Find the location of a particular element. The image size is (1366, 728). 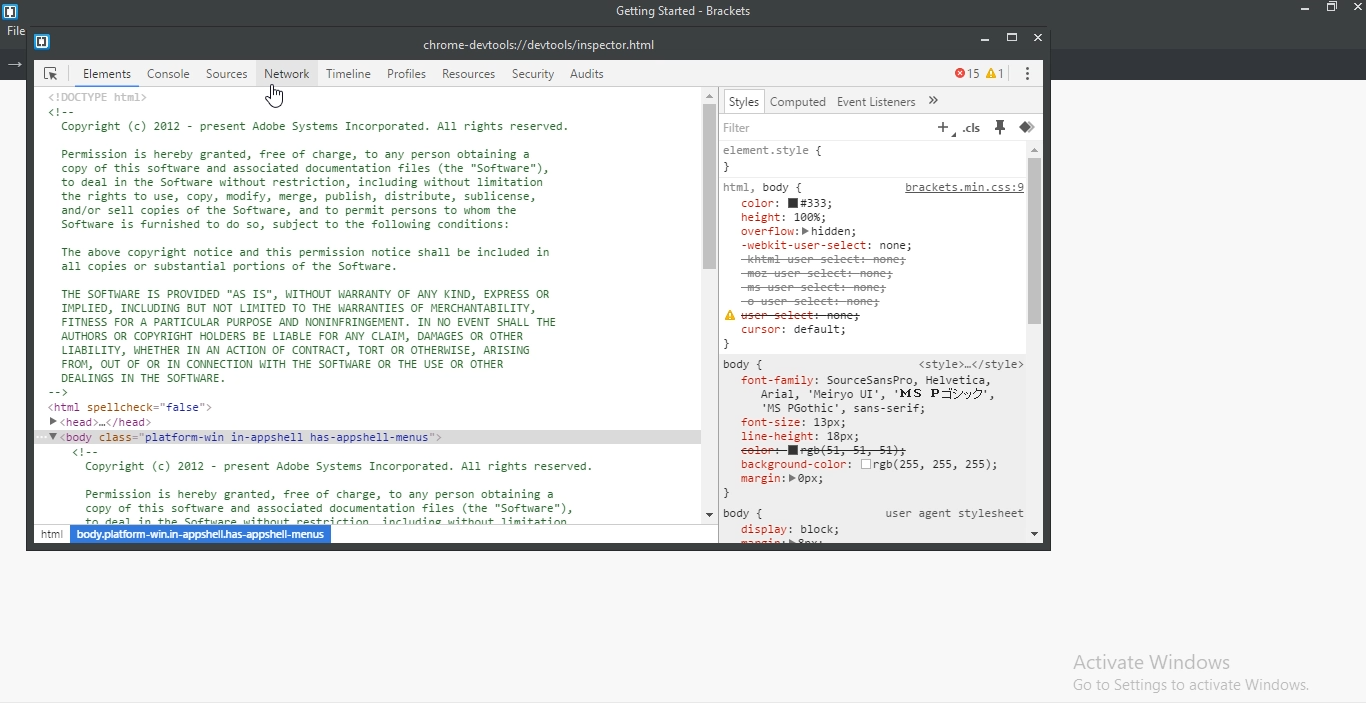

restore is located at coordinates (1331, 10).